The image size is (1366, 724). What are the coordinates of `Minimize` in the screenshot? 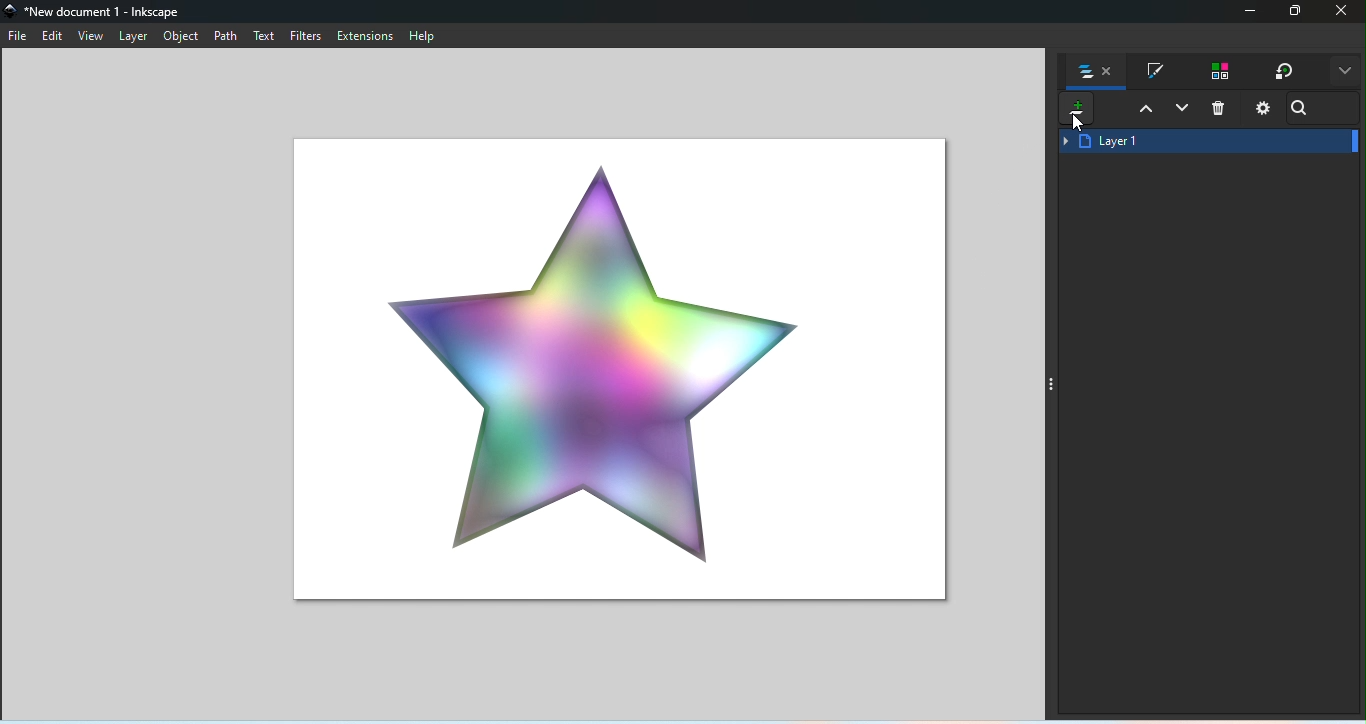 It's located at (1247, 13).